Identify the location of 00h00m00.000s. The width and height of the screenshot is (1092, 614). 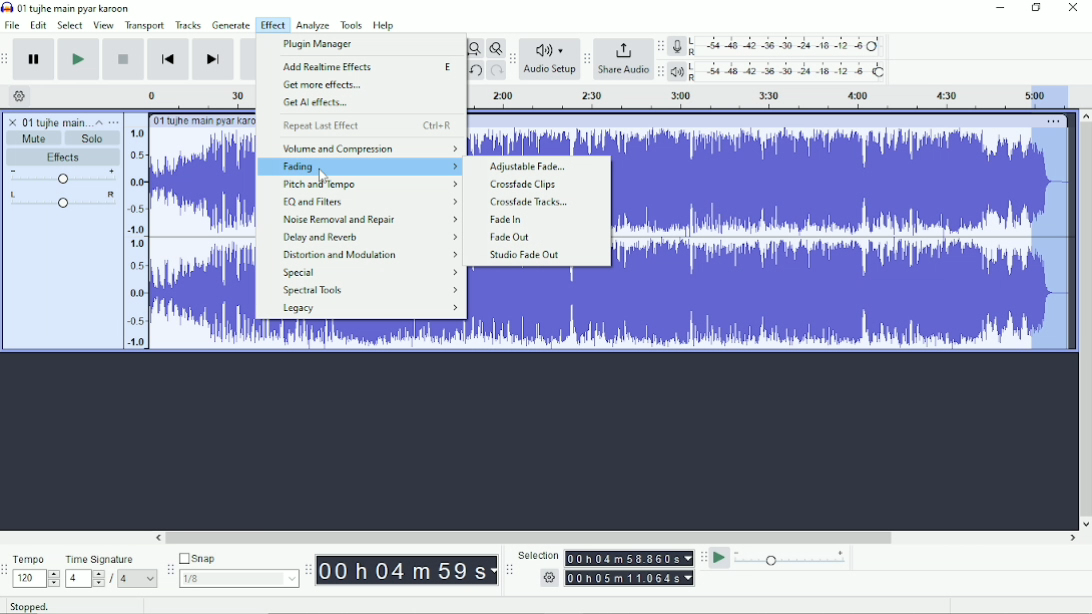
(630, 559).